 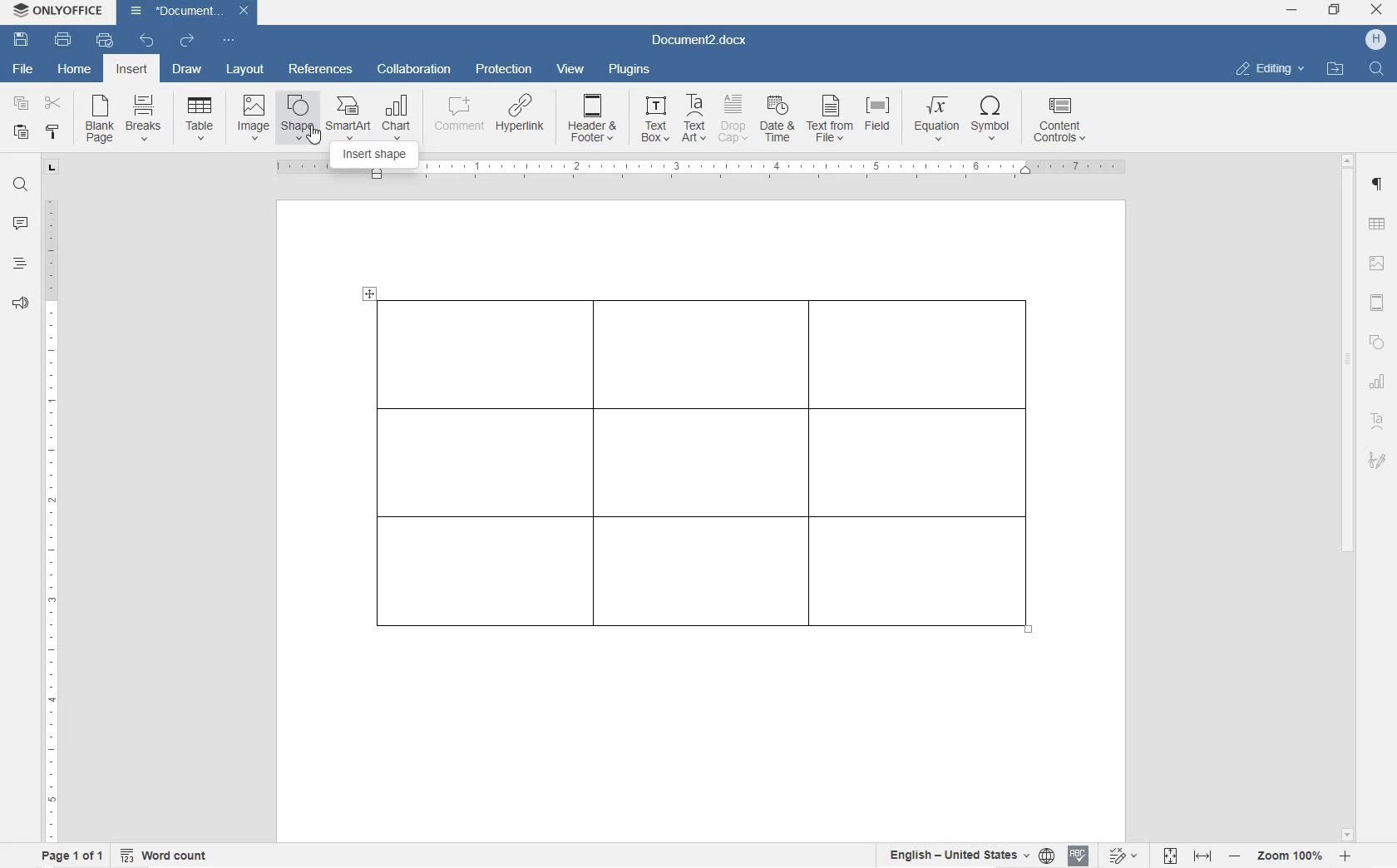 What do you see at coordinates (1378, 303) in the screenshot?
I see `header & footer` at bounding box center [1378, 303].